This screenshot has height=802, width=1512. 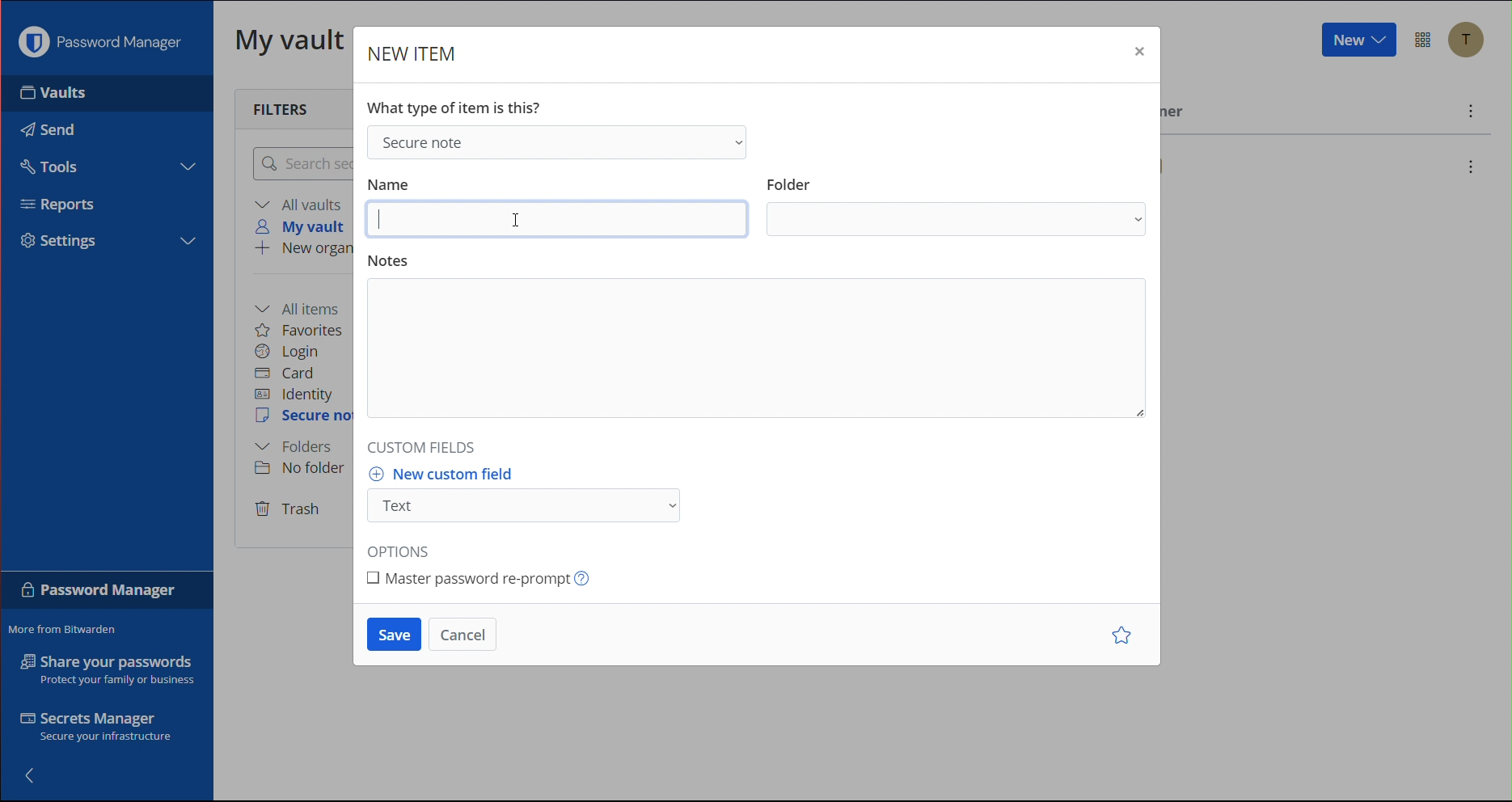 What do you see at coordinates (285, 108) in the screenshot?
I see `Filters` at bounding box center [285, 108].